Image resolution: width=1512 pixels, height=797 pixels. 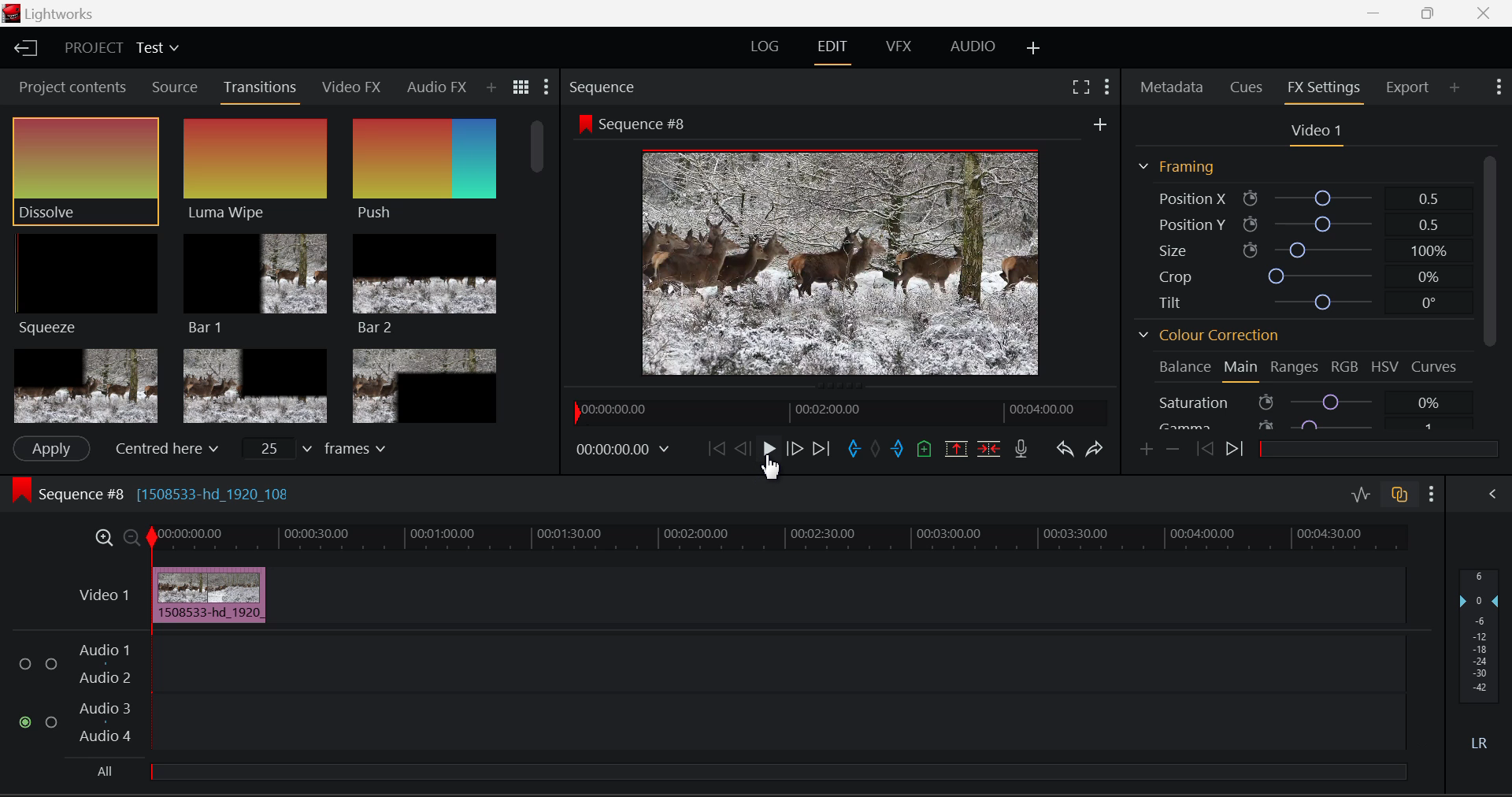 I want to click on Apply, so click(x=52, y=449).